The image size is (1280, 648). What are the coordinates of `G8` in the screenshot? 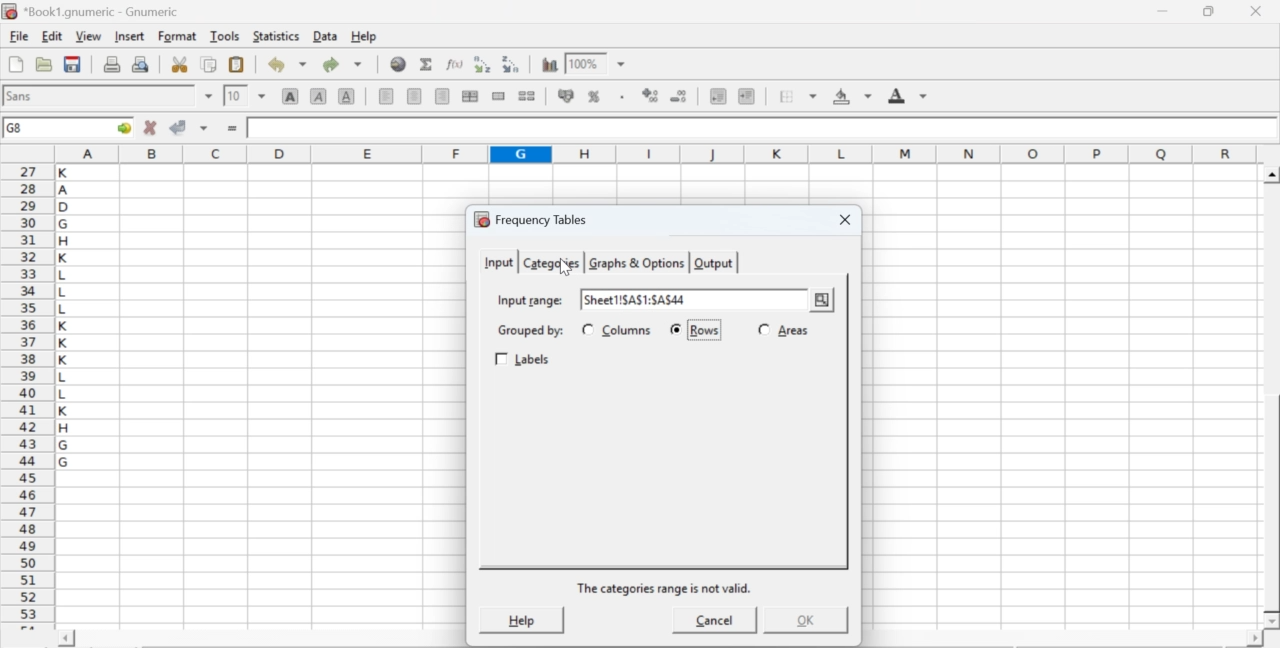 It's located at (17, 128).